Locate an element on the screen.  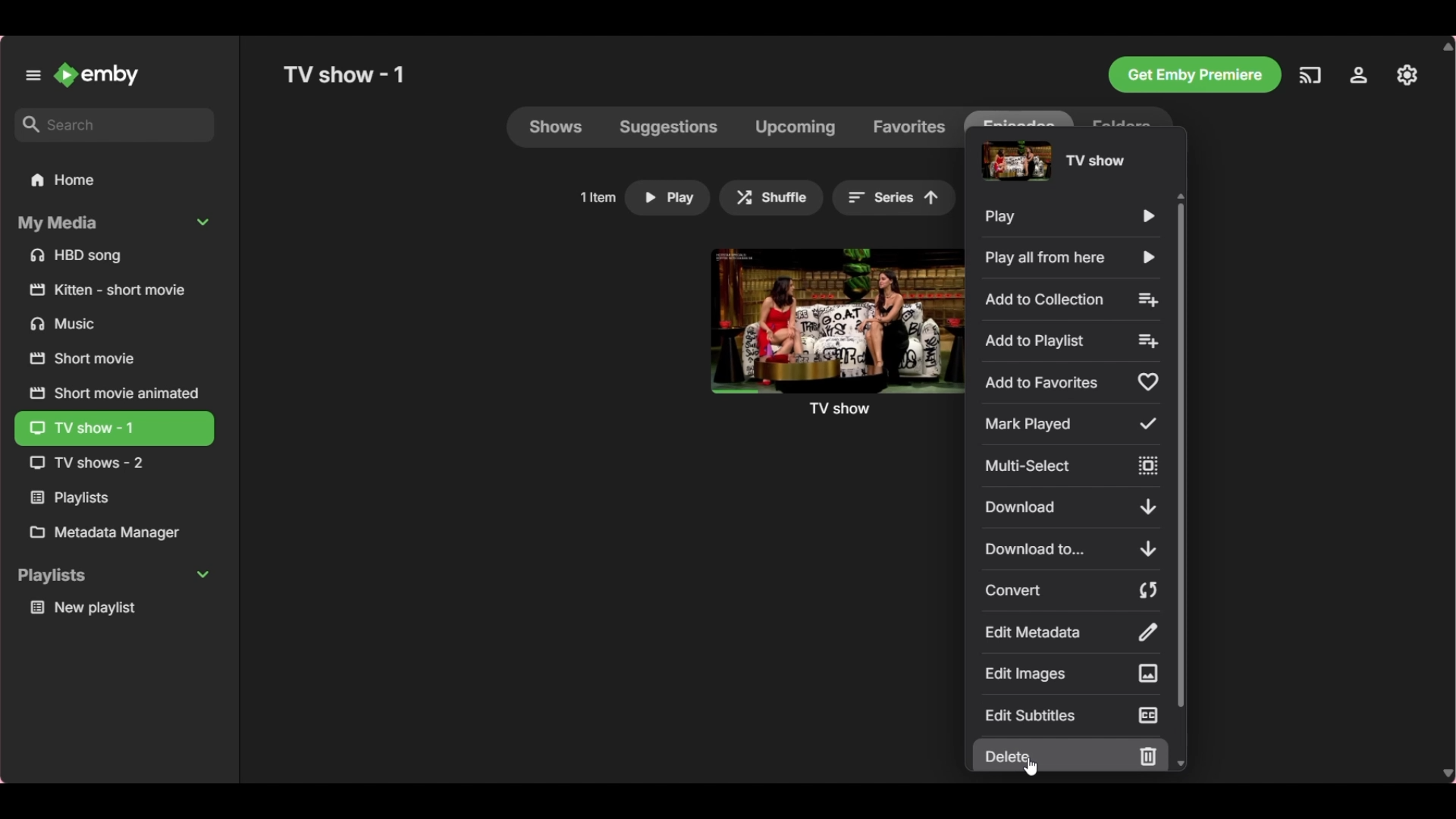
Suggestions is located at coordinates (669, 127).